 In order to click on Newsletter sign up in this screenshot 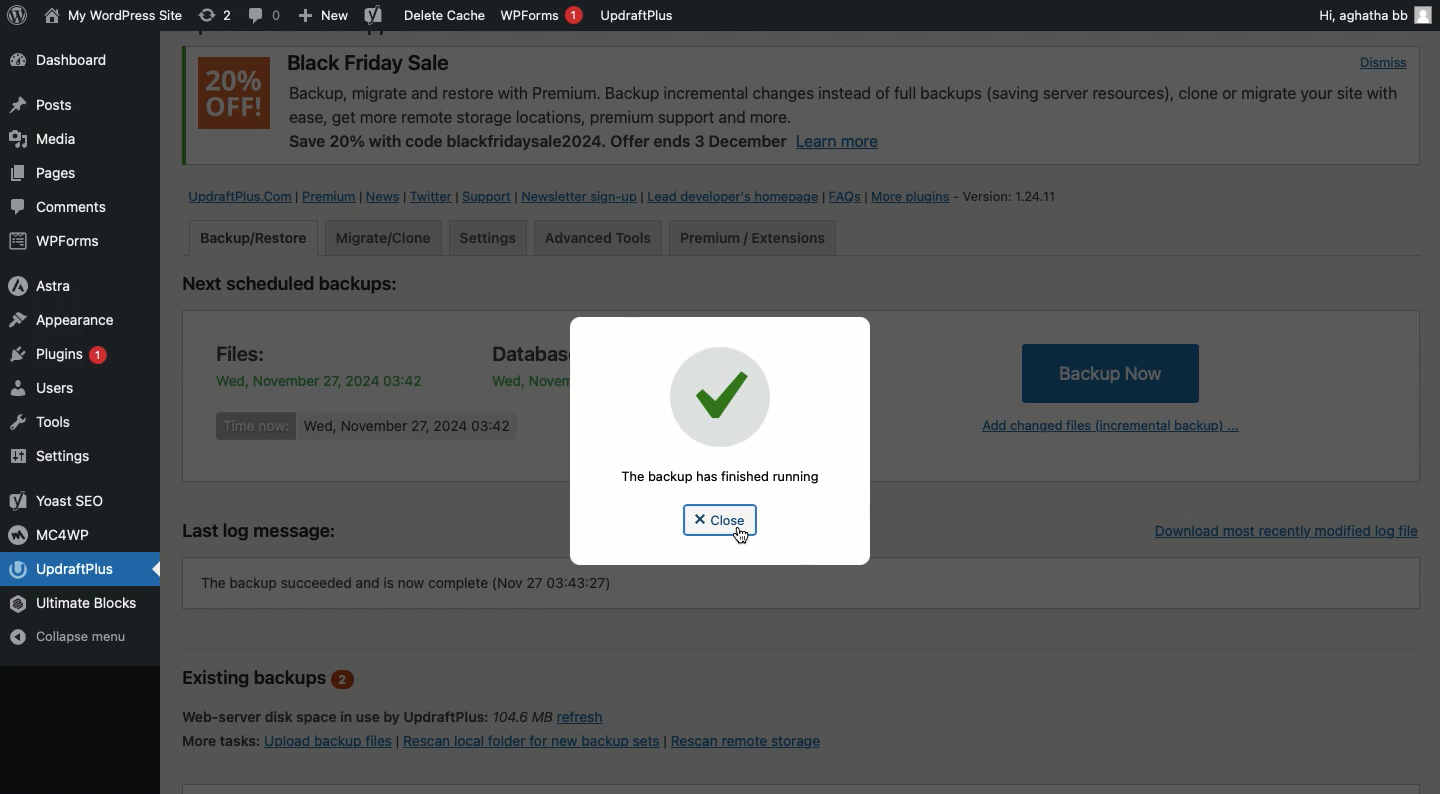, I will do `click(580, 199)`.